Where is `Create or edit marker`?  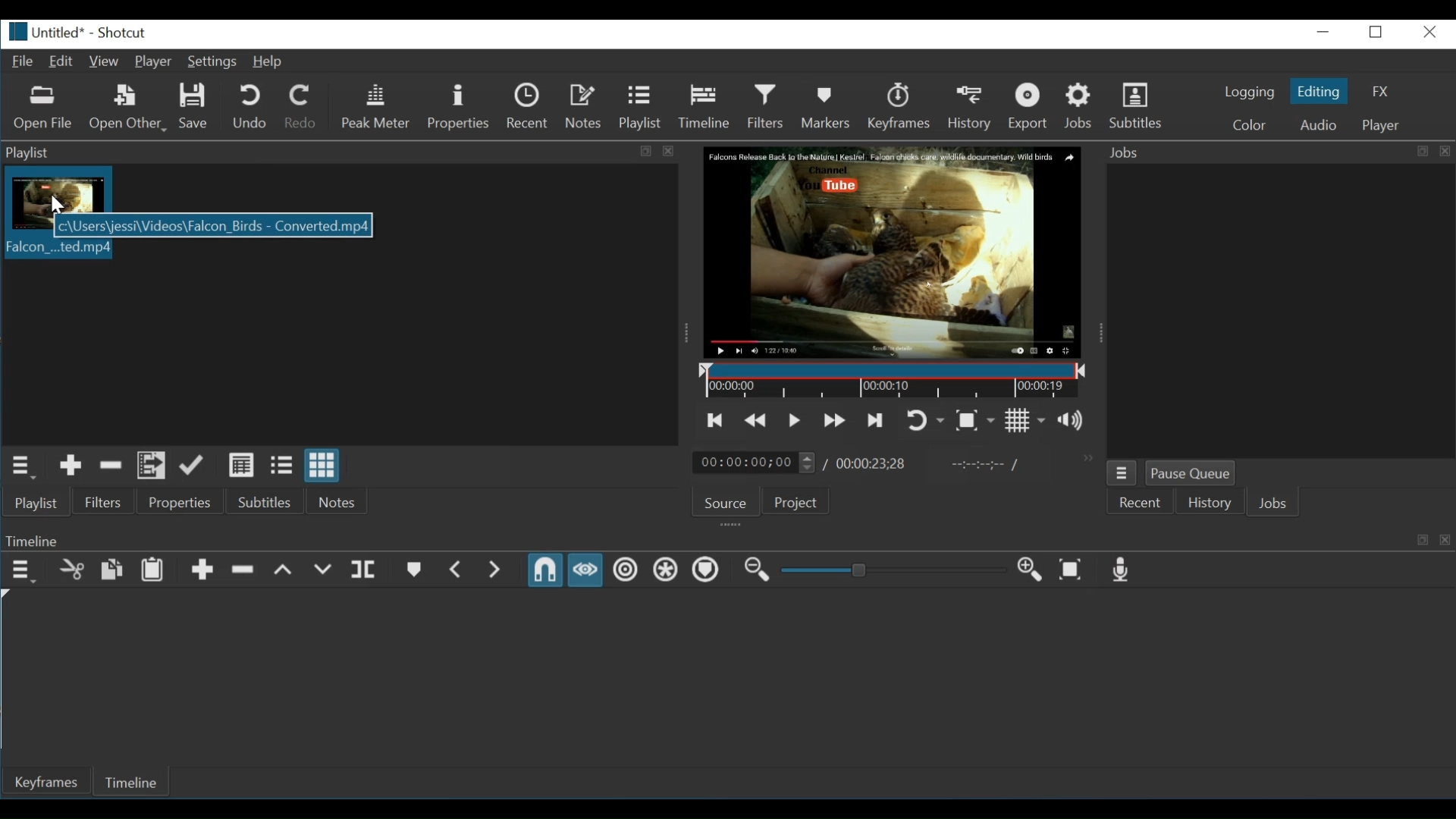
Create or edit marker is located at coordinates (413, 570).